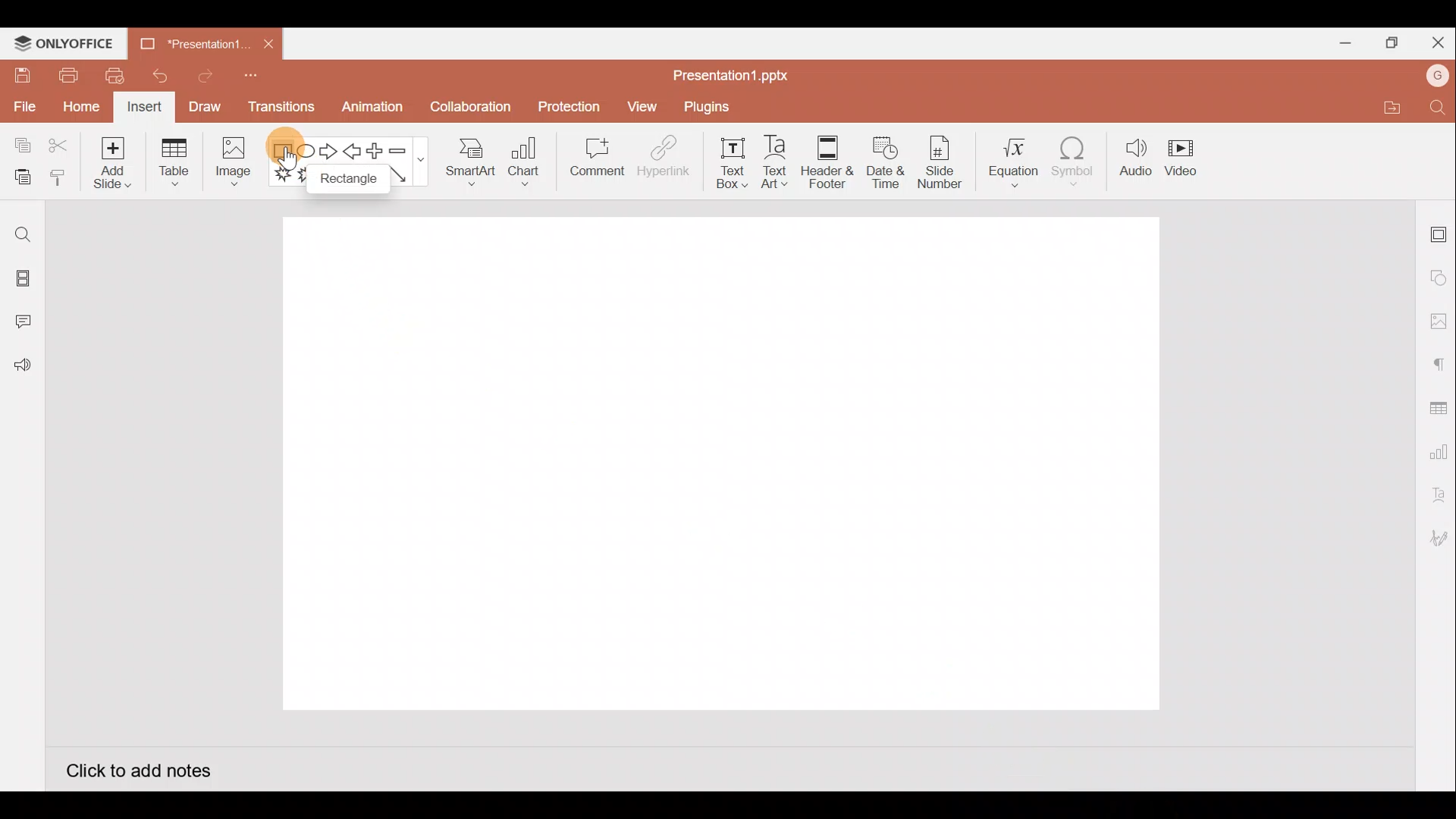  What do you see at coordinates (1439, 107) in the screenshot?
I see `Find` at bounding box center [1439, 107].